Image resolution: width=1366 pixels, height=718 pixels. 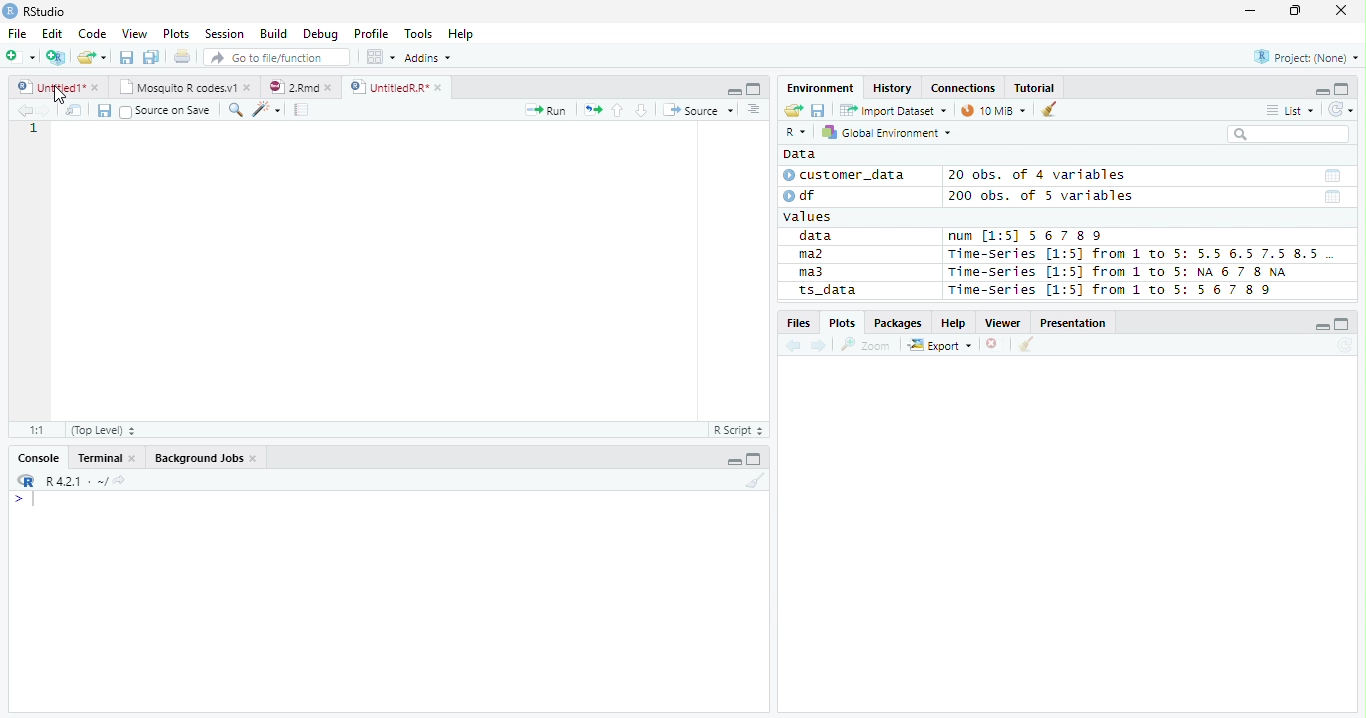 I want to click on Minimize, so click(x=1323, y=328).